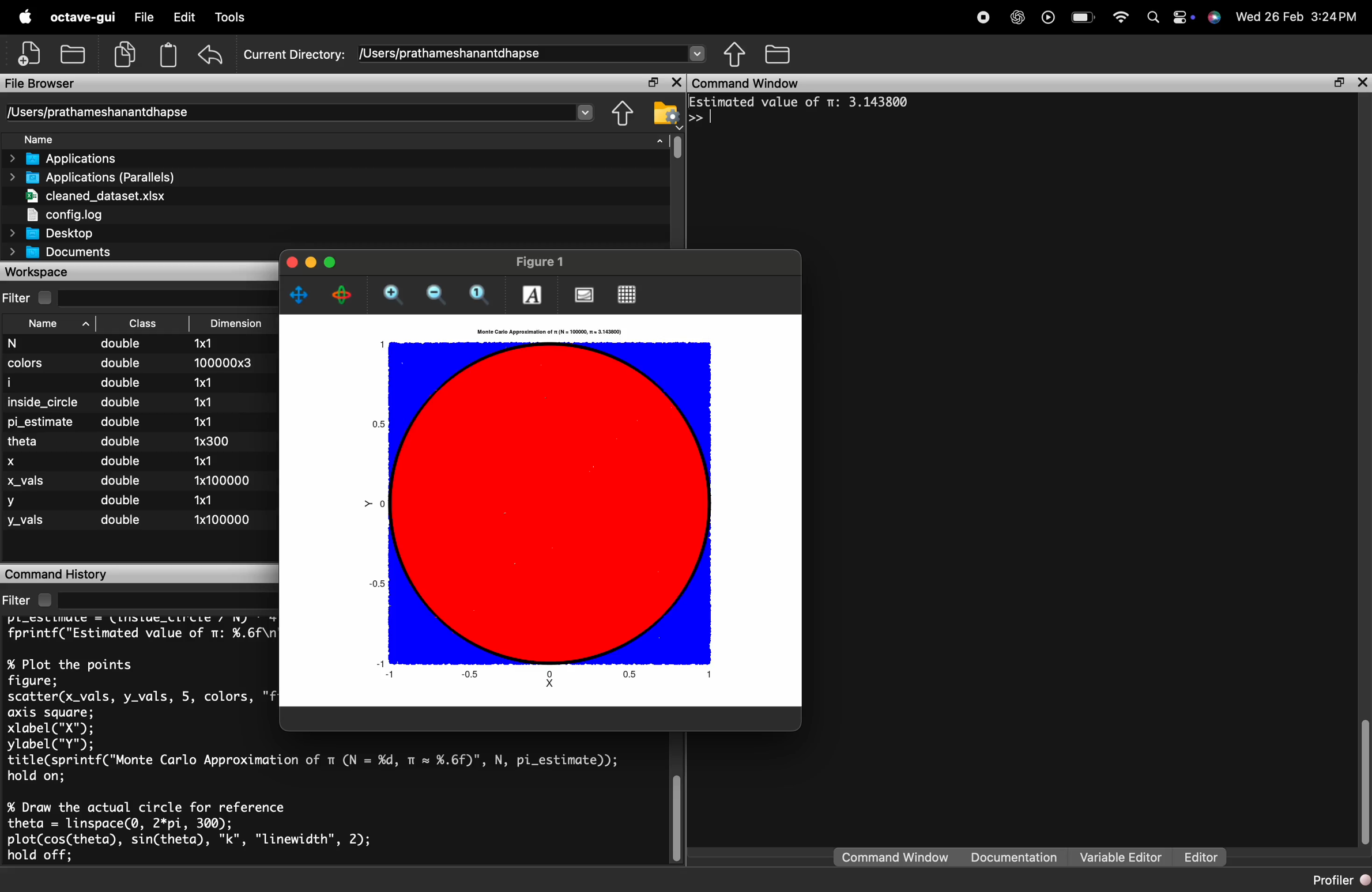 This screenshot has width=1372, height=892. Describe the element at coordinates (801, 101) in the screenshot. I see `Estimated value of mw: 3.143800` at that location.